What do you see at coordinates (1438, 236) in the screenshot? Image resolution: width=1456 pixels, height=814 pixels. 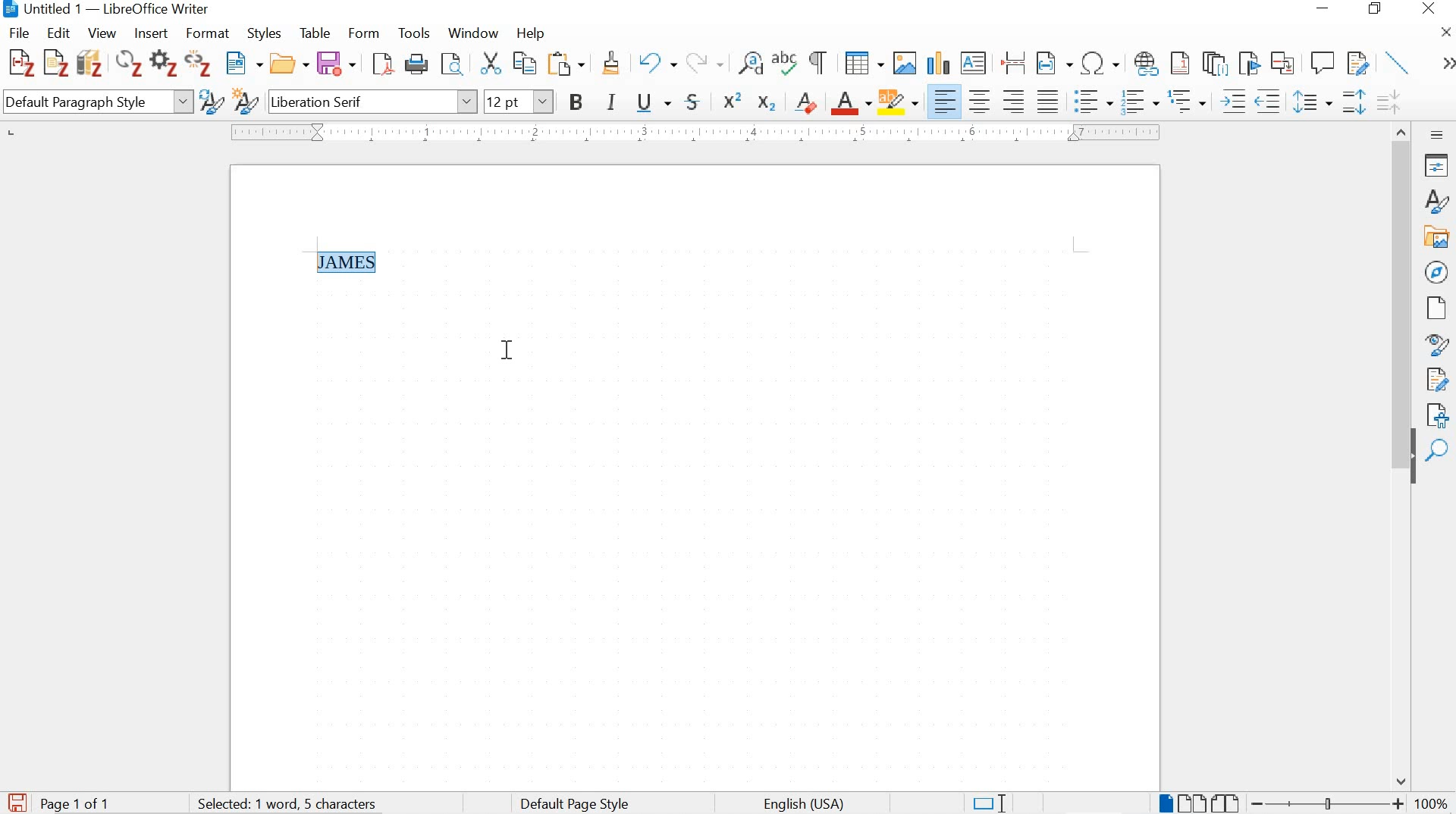 I see `gallery` at bounding box center [1438, 236].